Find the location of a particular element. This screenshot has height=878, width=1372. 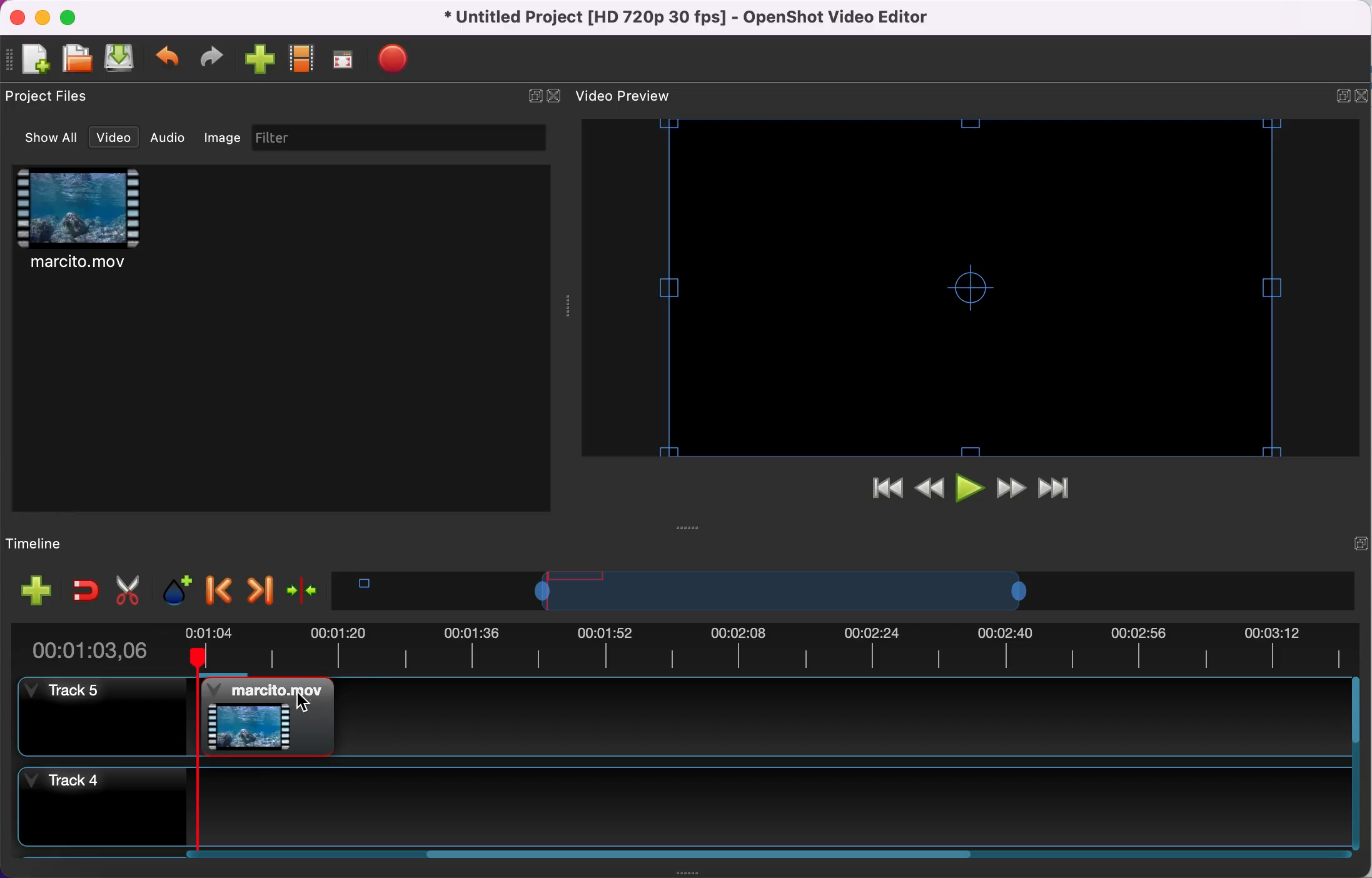

open file is located at coordinates (74, 59).